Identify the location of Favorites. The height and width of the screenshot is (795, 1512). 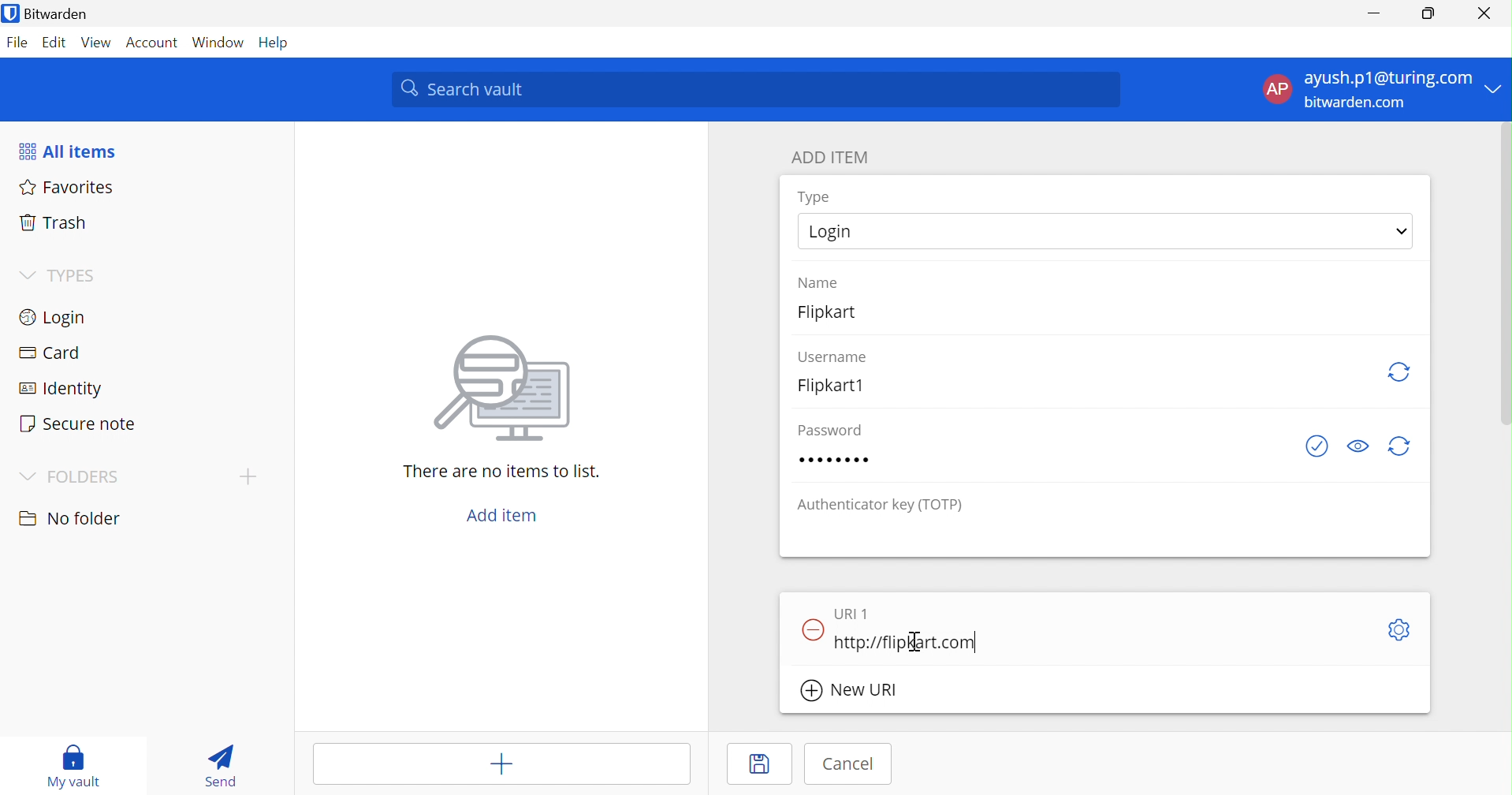
(69, 188).